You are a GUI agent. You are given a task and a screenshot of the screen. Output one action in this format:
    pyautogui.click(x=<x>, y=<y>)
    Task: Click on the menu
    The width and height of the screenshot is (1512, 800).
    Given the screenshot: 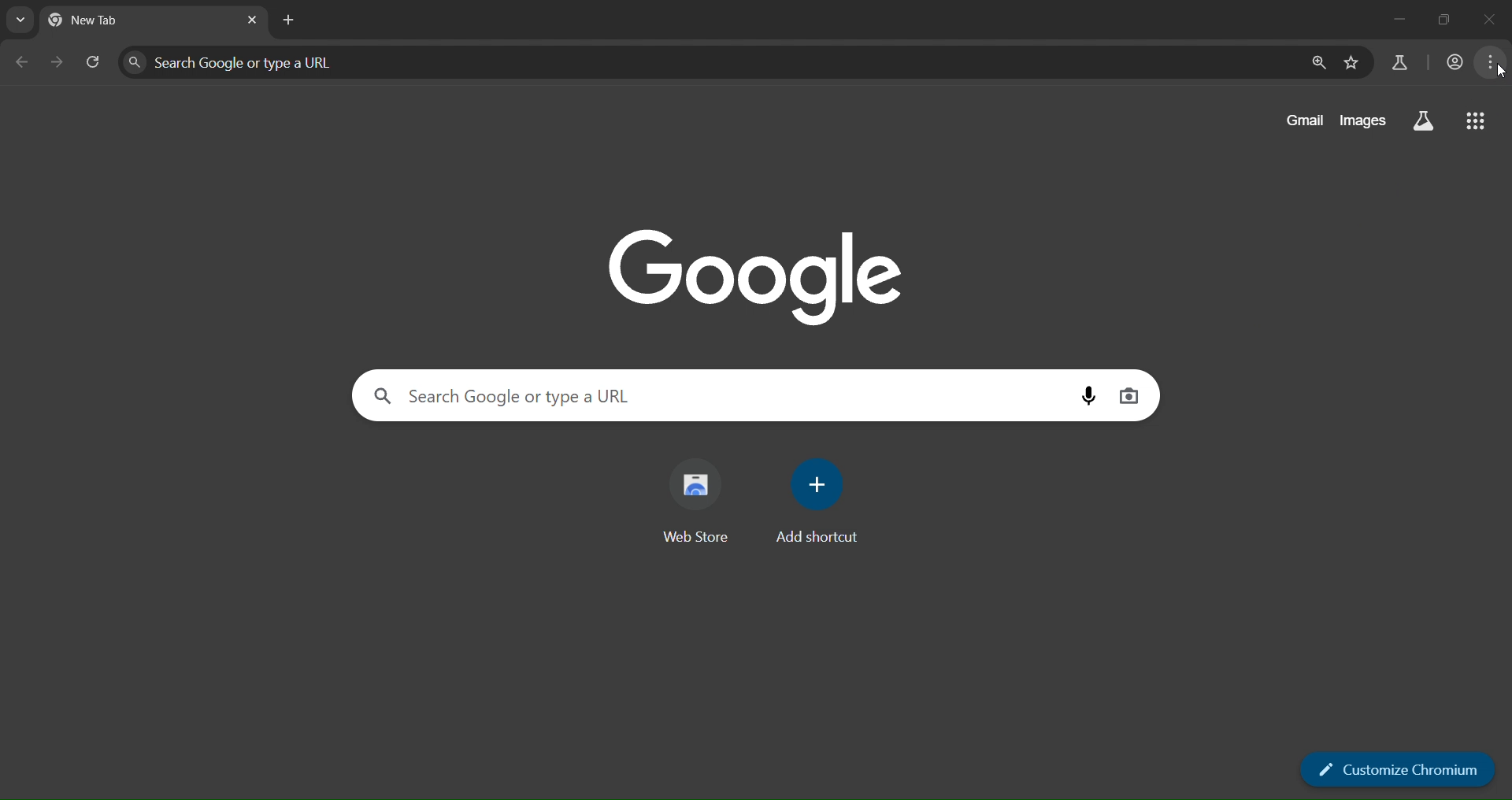 What is the action you would take?
    pyautogui.click(x=1497, y=61)
    